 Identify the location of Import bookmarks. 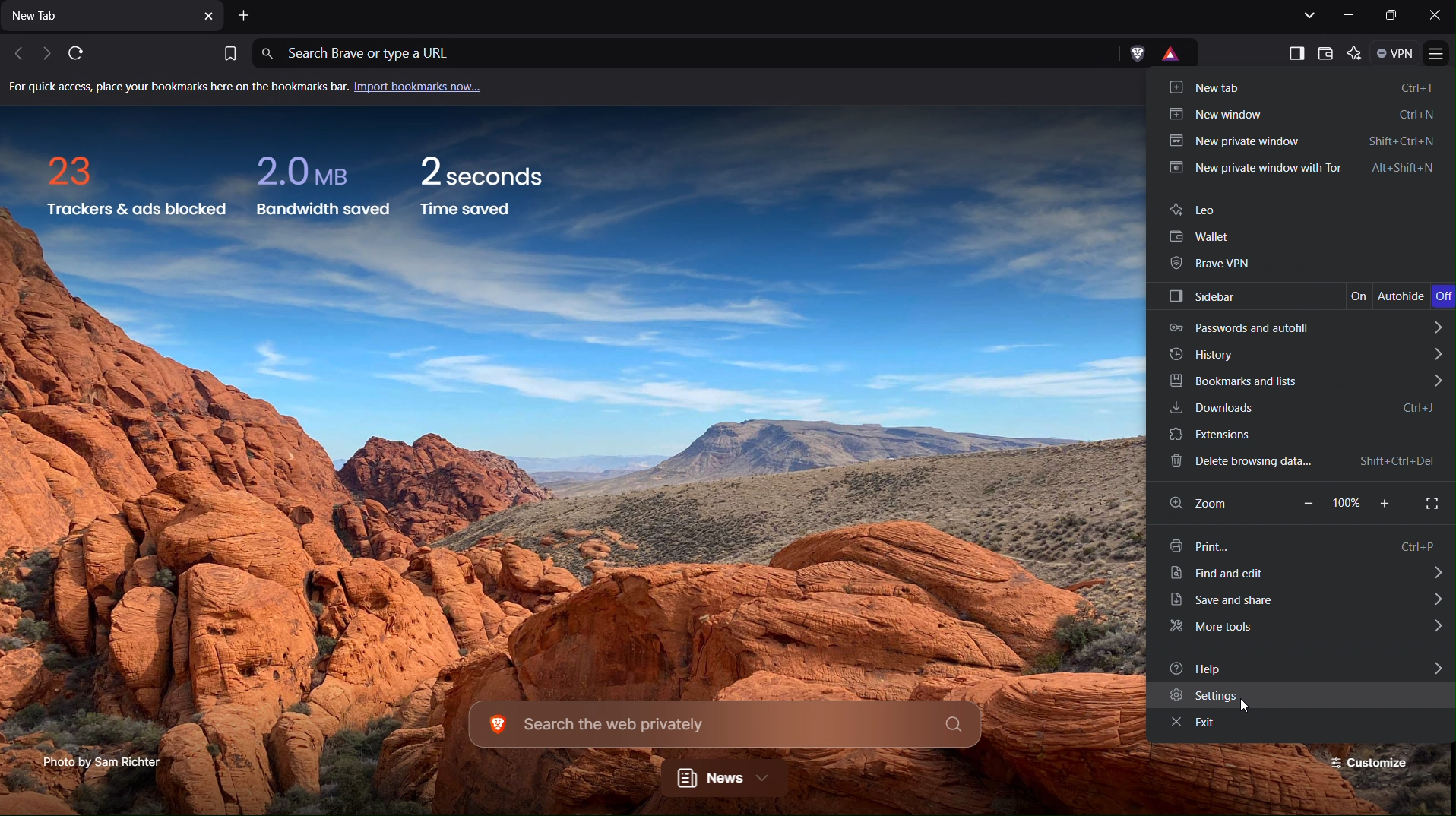
(269, 91).